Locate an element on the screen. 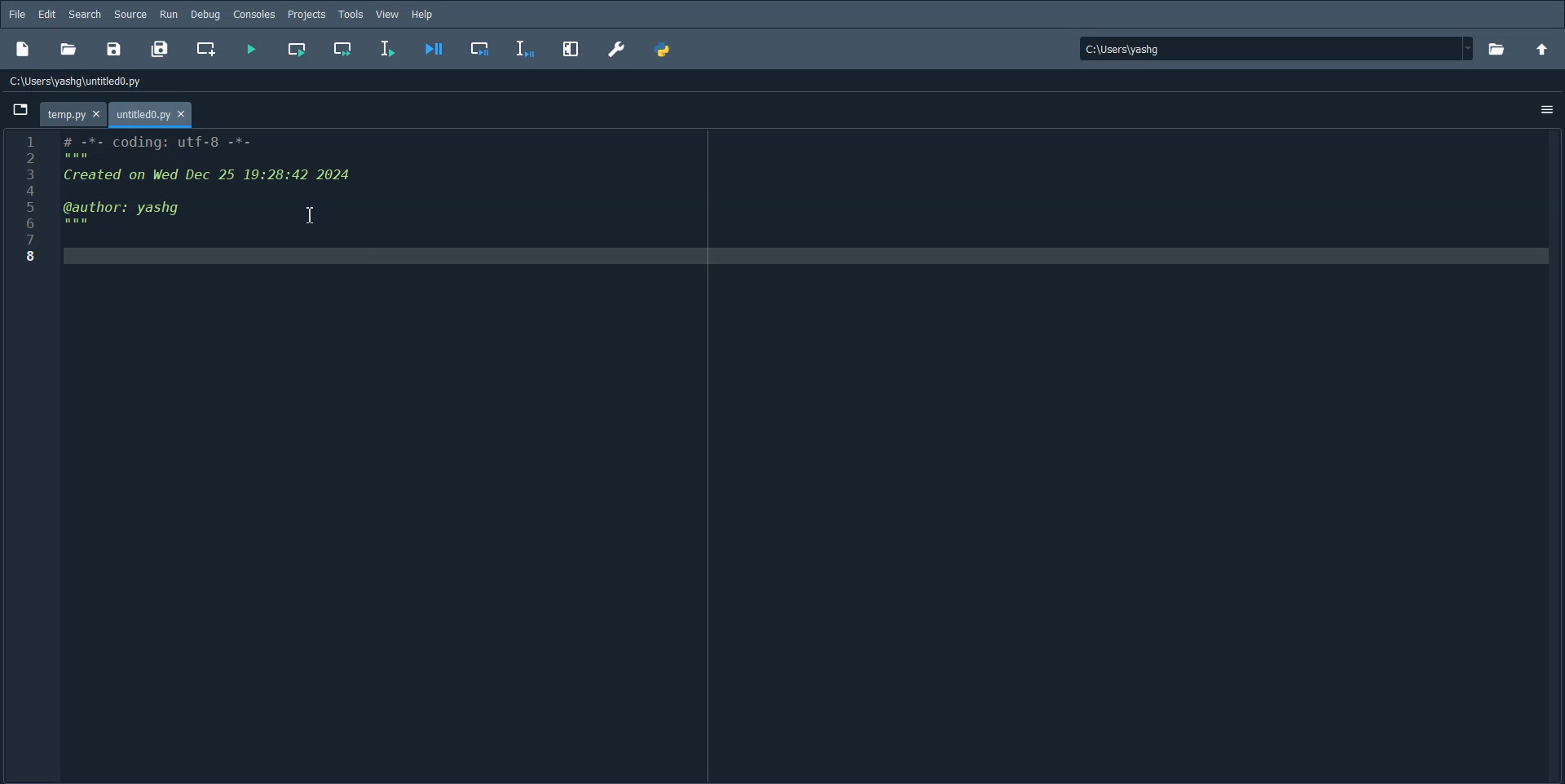 This screenshot has height=784, width=1565. | Ci\Userslyashg is located at coordinates (1133, 51).